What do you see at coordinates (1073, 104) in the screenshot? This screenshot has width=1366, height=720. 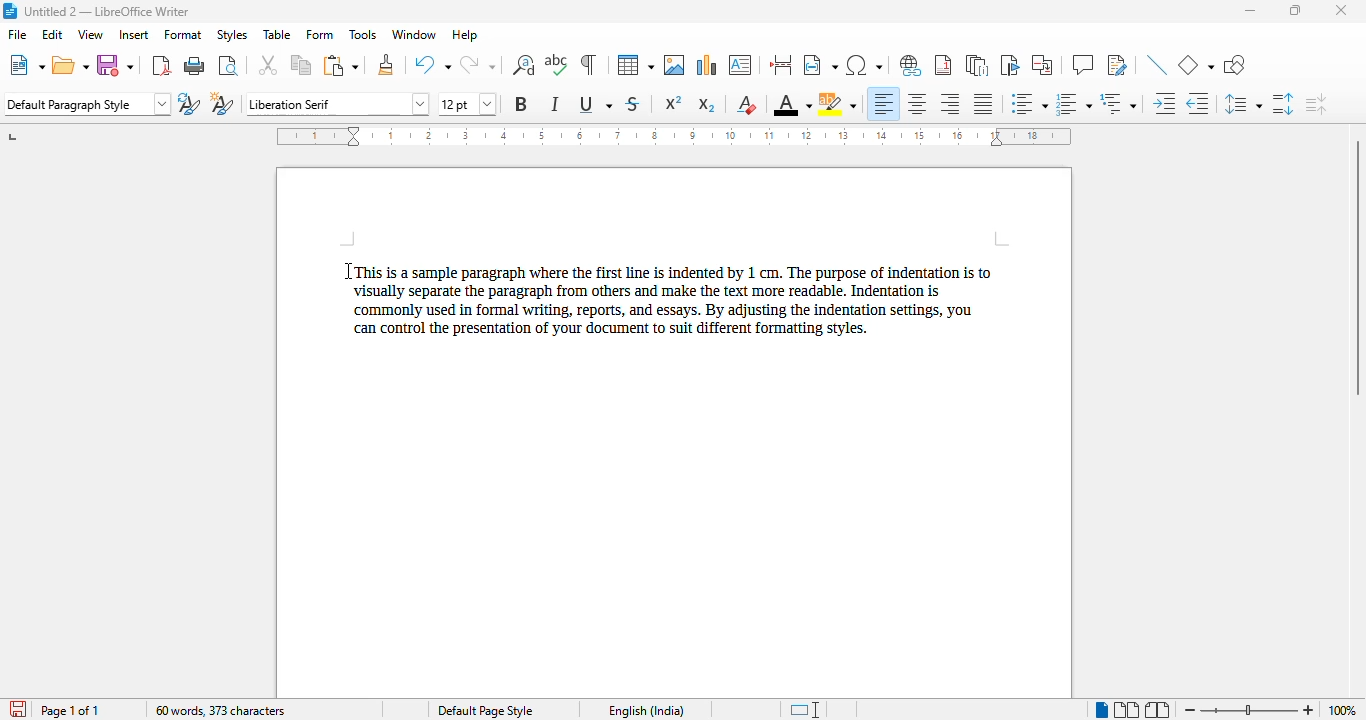 I see `toggle ordered list` at bounding box center [1073, 104].